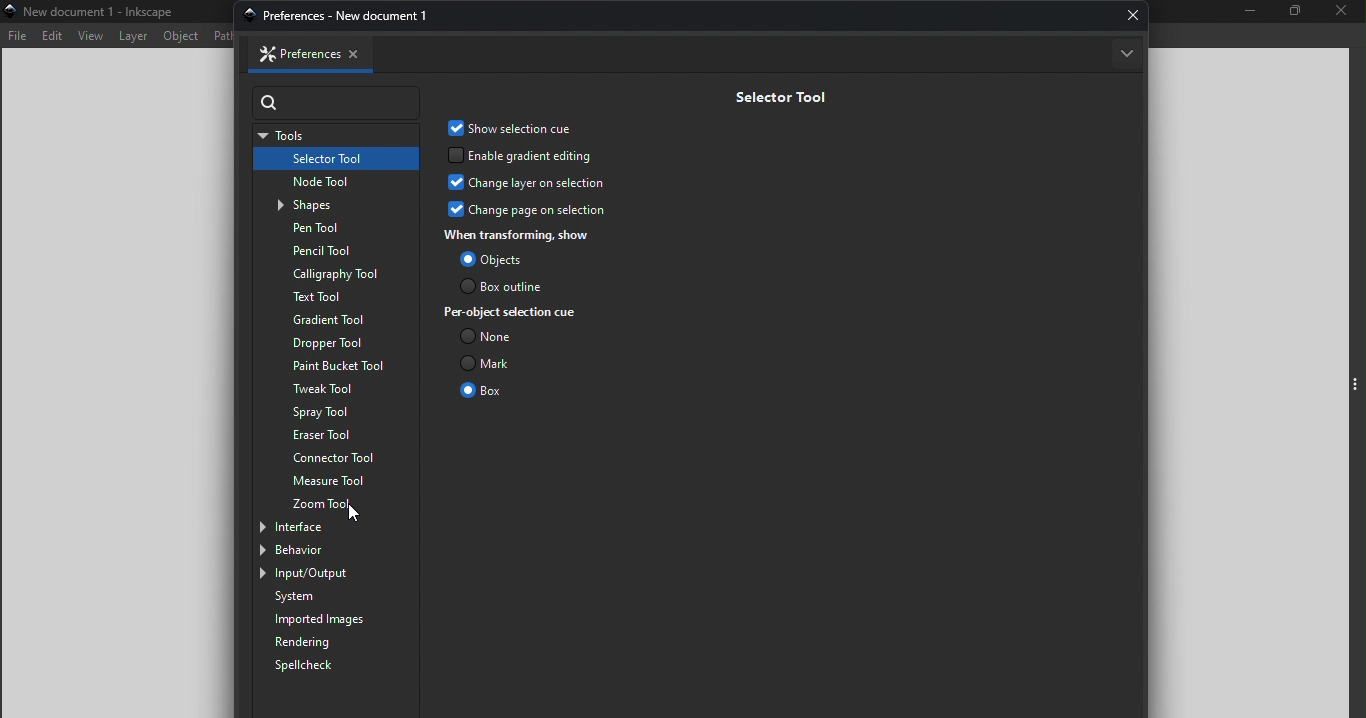 This screenshot has width=1366, height=718. I want to click on Box, so click(485, 390).